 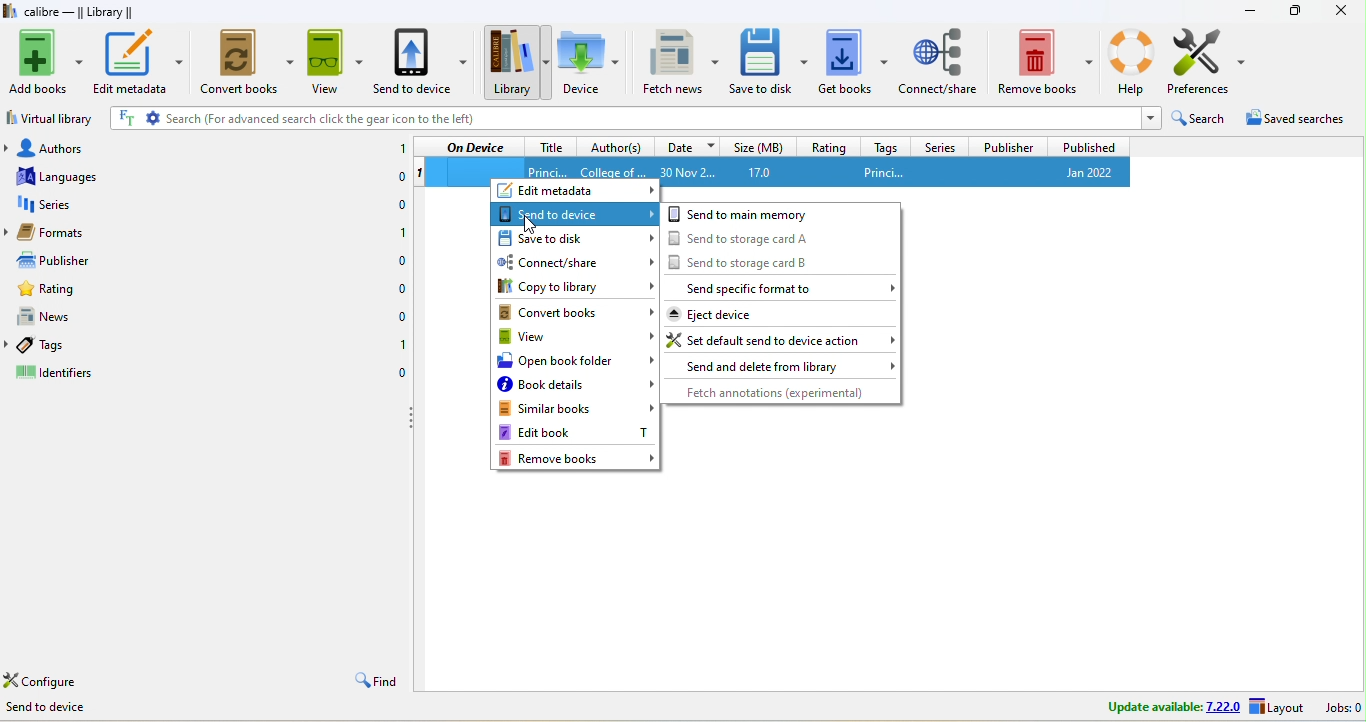 I want to click on save to disk, so click(x=575, y=238).